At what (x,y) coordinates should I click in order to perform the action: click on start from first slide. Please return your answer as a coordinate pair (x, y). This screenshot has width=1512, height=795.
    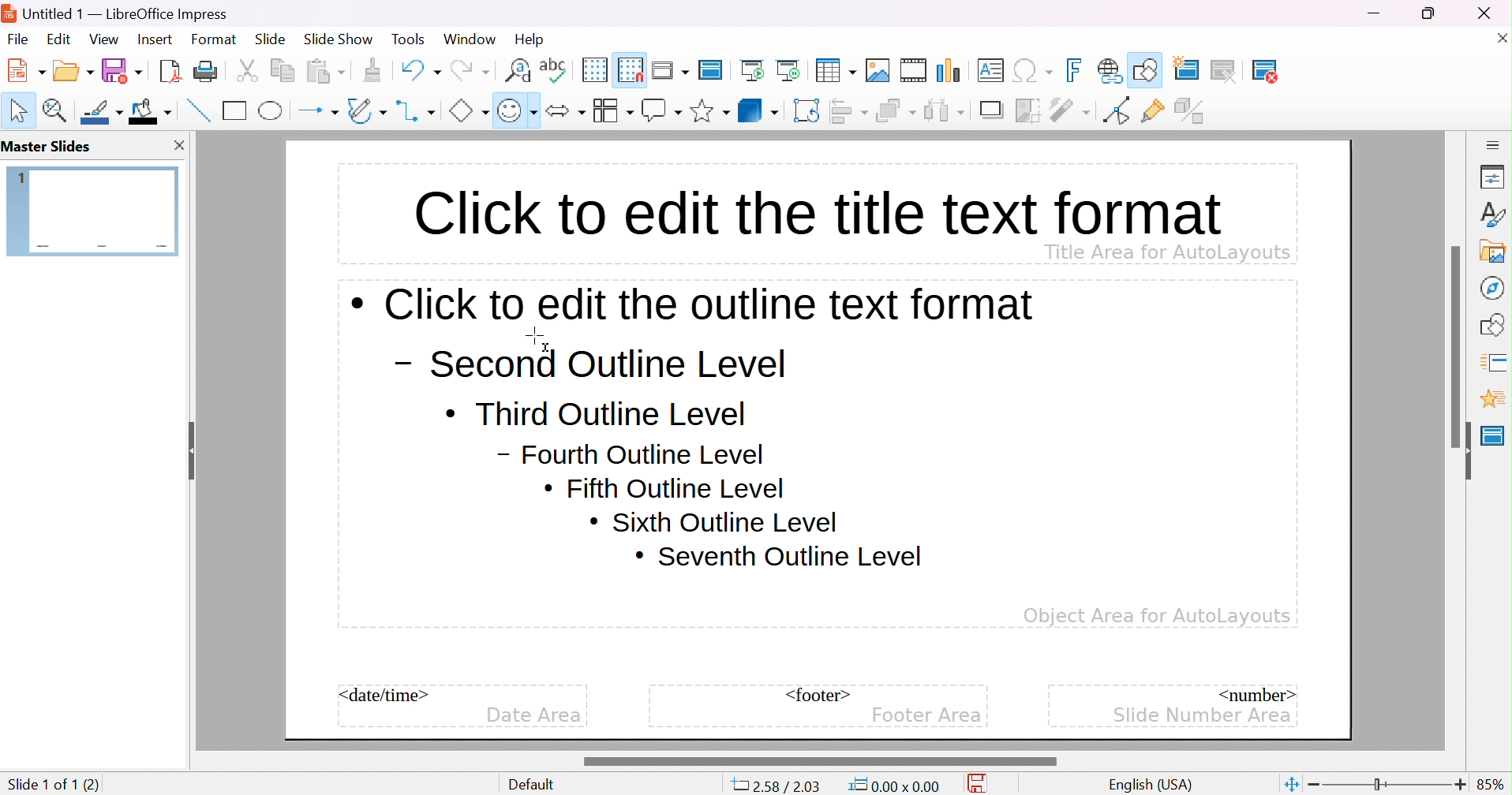
    Looking at the image, I should click on (754, 69).